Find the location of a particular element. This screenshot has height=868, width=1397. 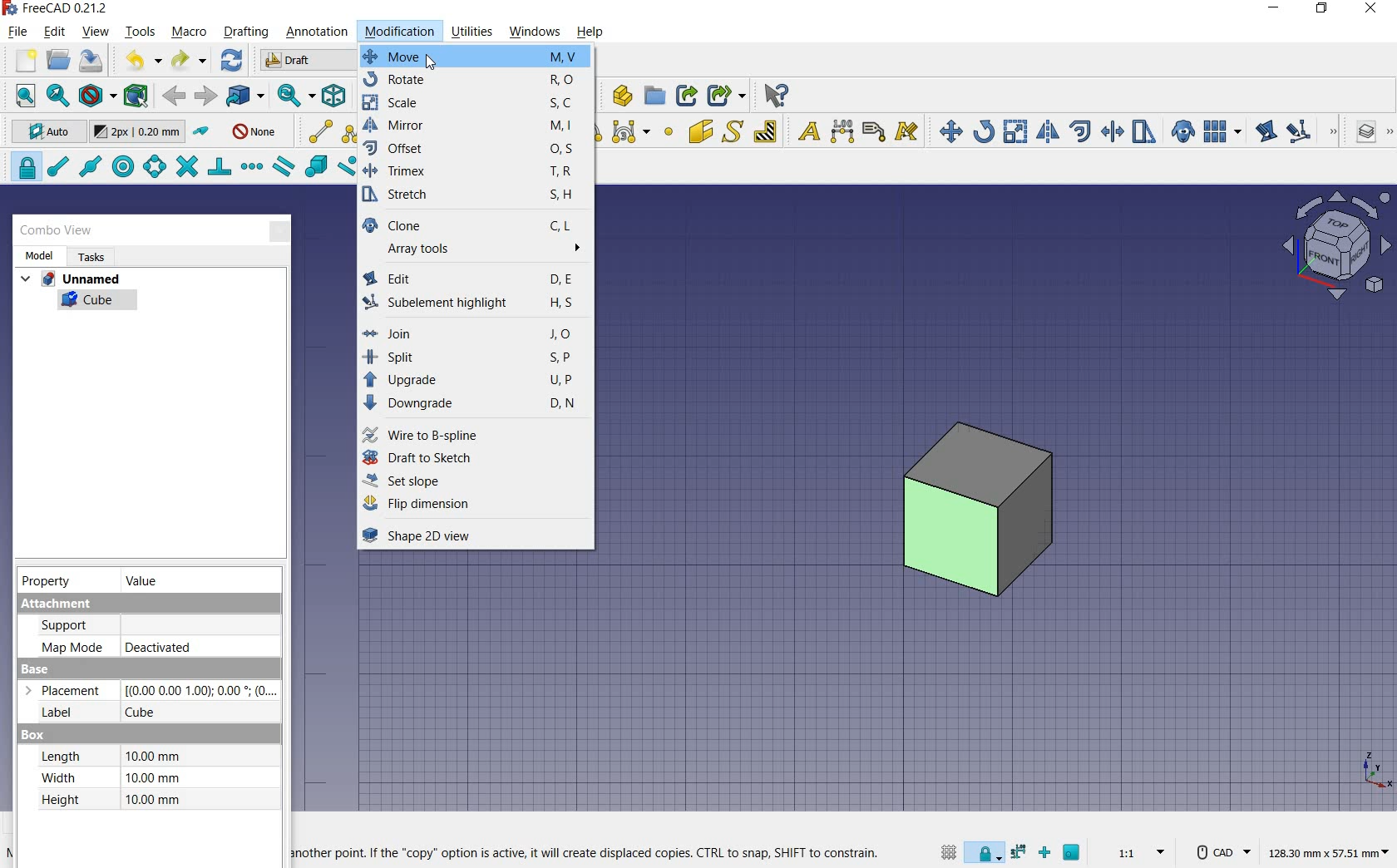

annotation styles is located at coordinates (908, 133).